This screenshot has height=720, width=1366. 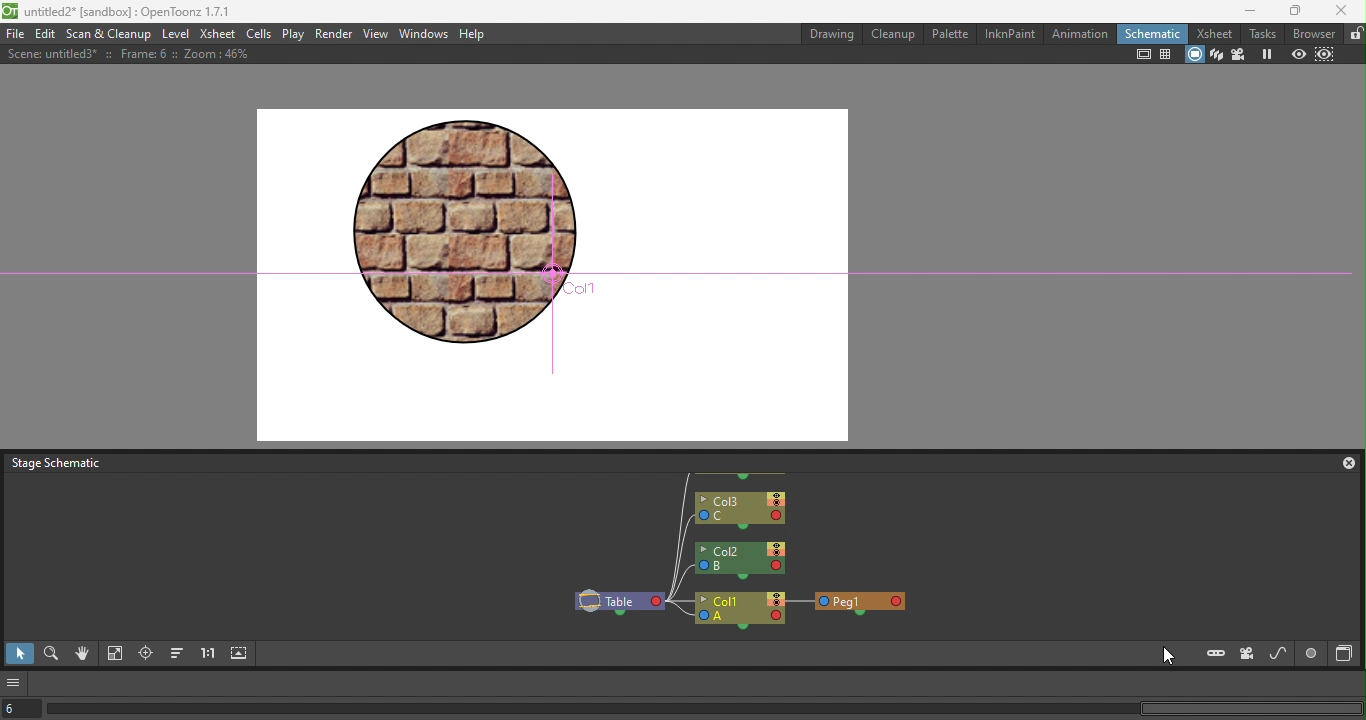 What do you see at coordinates (1217, 33) in the screenshot?
I see `Xsheet` at bounding box center [1217, 33].